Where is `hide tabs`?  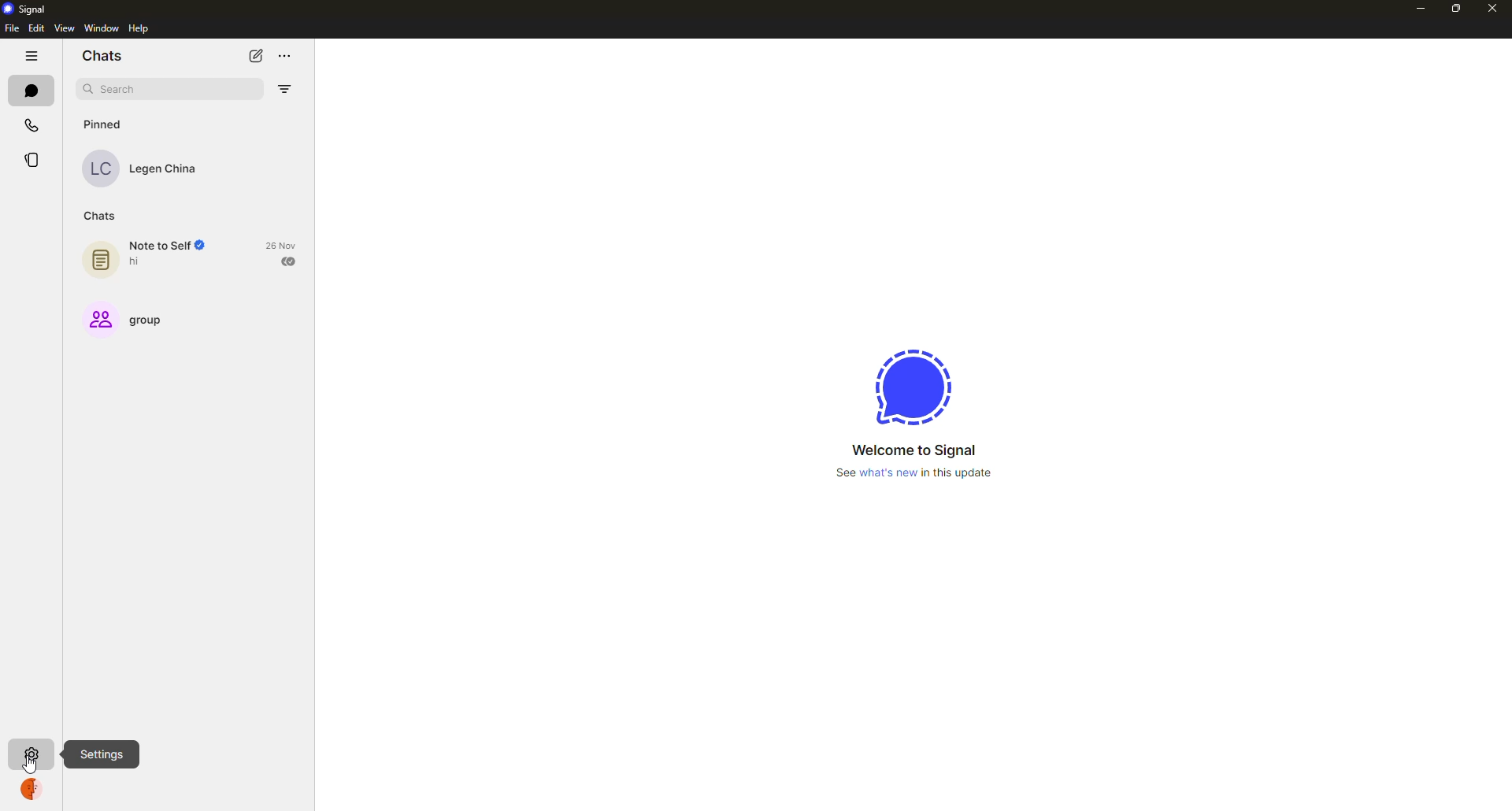
hide tabs is located at coordinates (34, 54).